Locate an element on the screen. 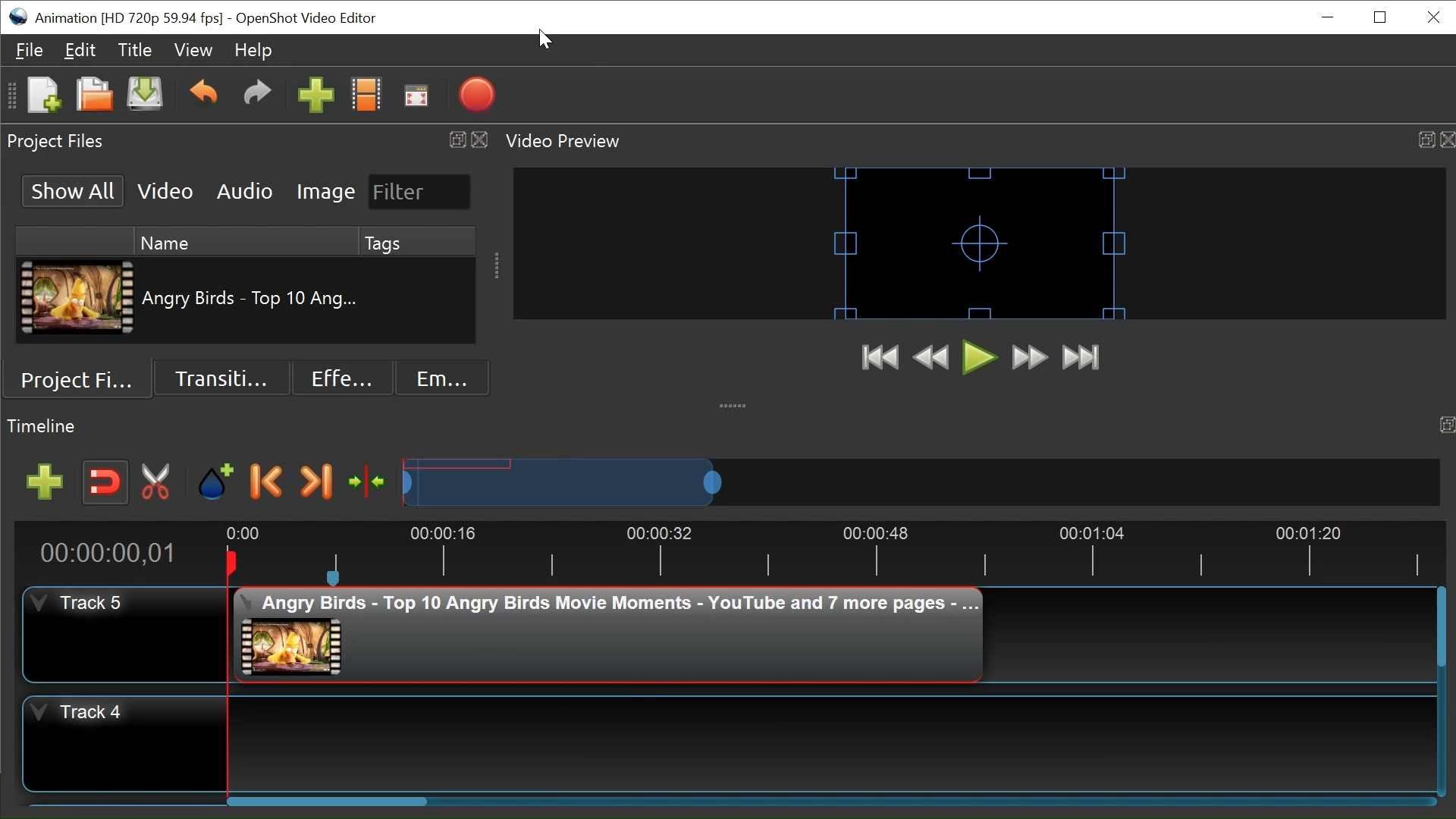 This screenshot has width=1456, height=819. Clip Name is located at coordinates (251, 299).